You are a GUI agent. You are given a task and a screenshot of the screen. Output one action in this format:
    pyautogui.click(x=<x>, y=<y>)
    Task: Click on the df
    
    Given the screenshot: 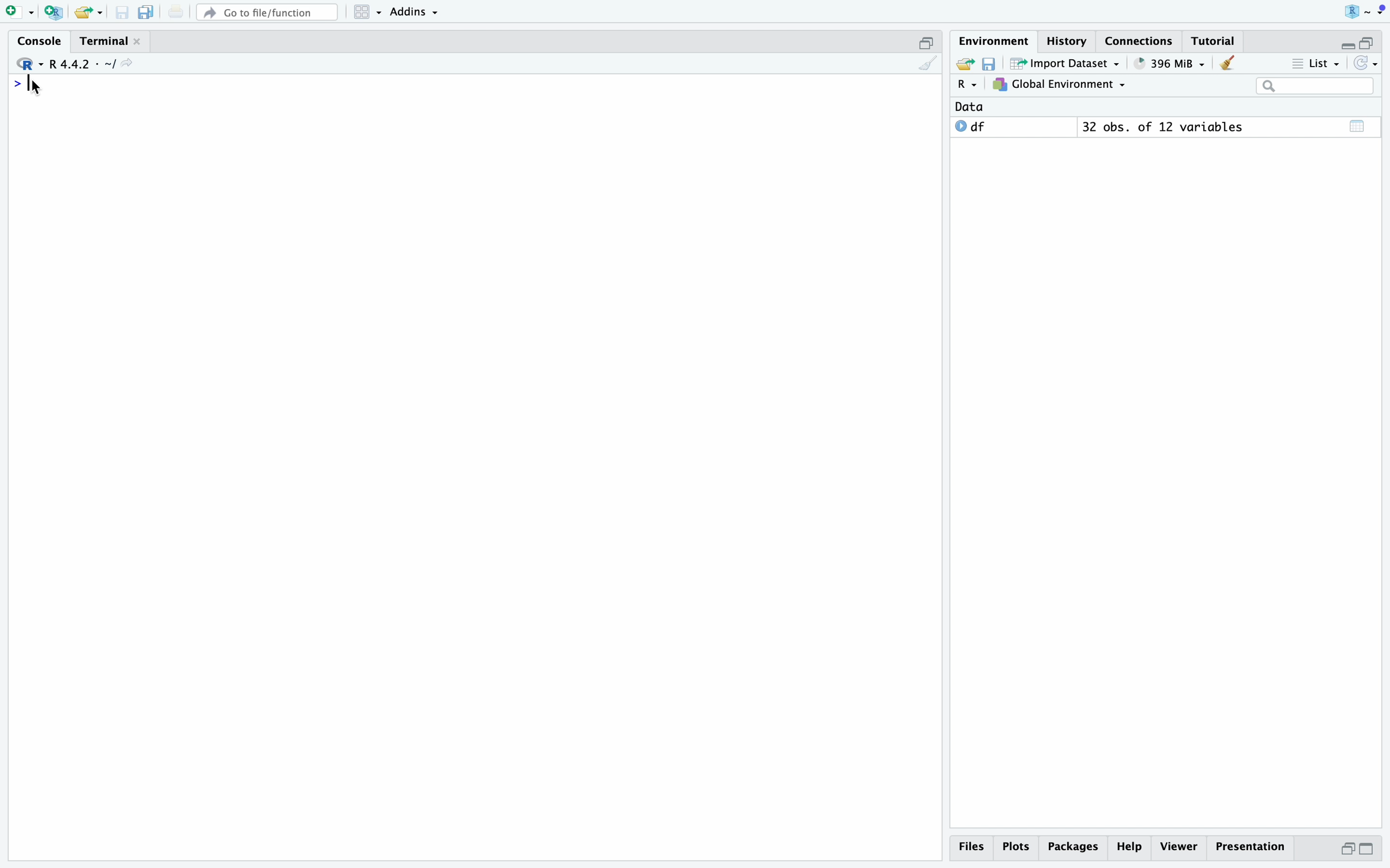 What is the action you would take?
    pyautogui.click(x=971, y=126)
    